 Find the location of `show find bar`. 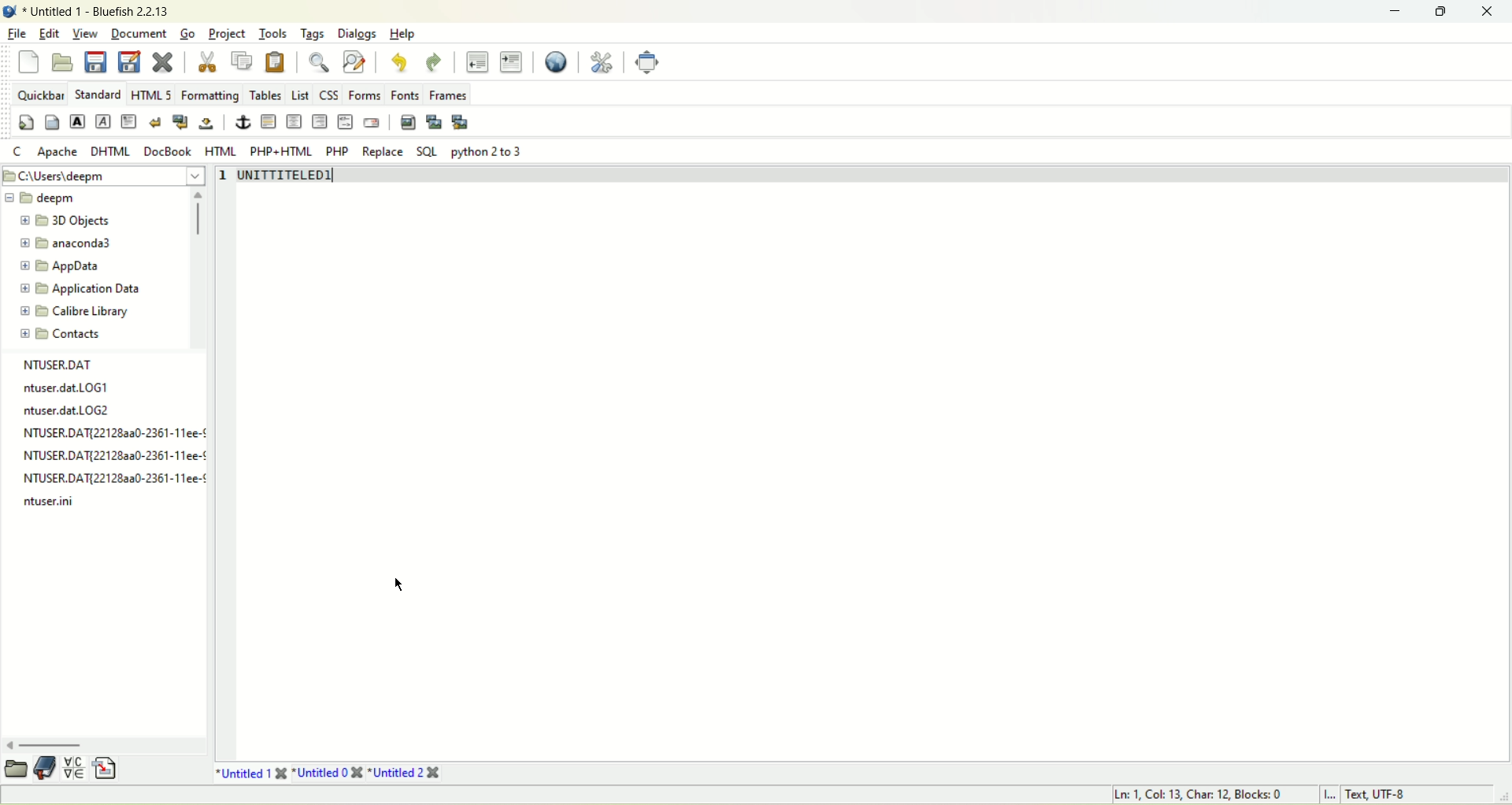

show find bar is located at coordinates (317, 61).